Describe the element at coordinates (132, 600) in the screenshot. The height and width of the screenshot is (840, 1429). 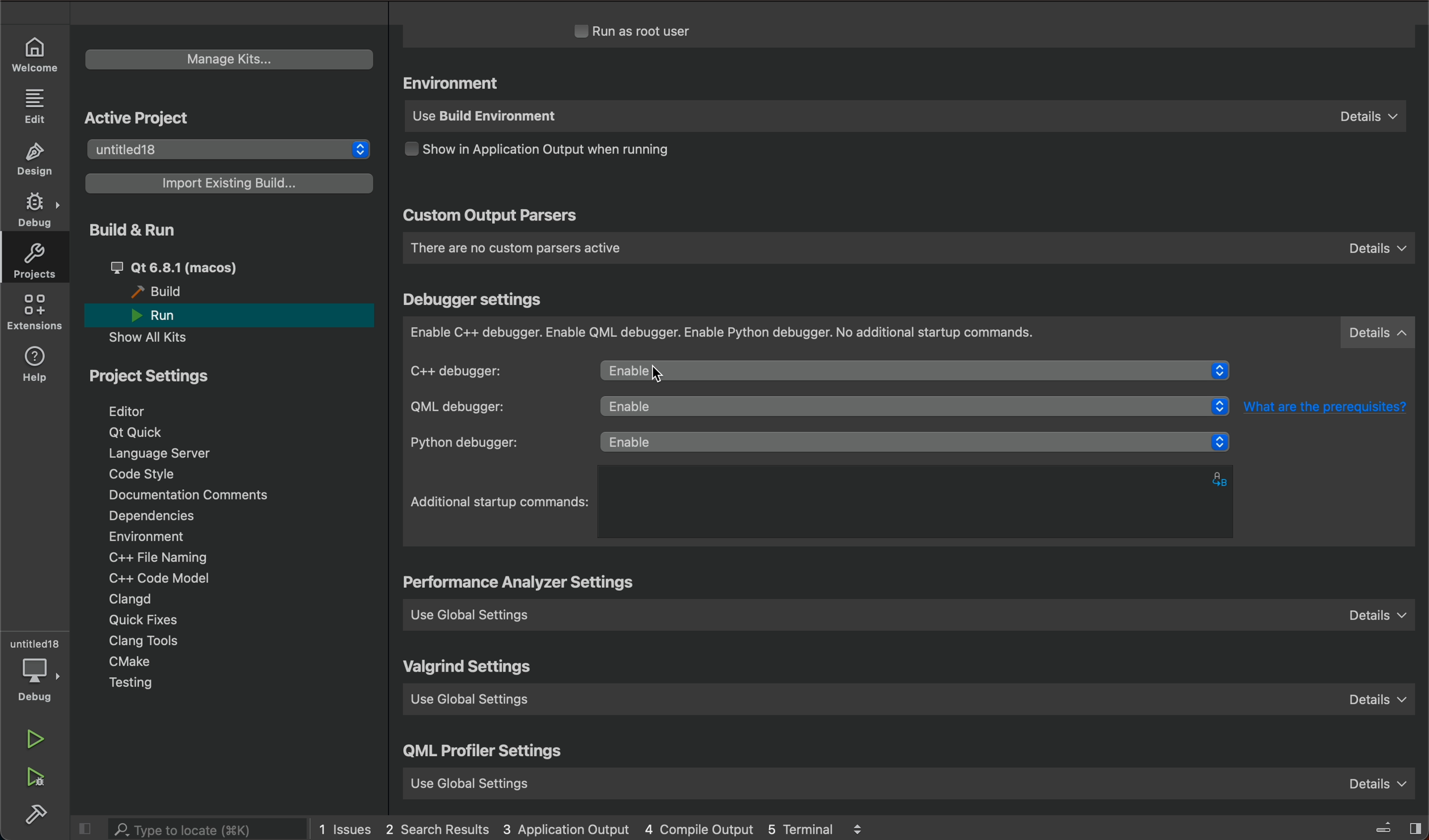
I see `clangd` at that location.